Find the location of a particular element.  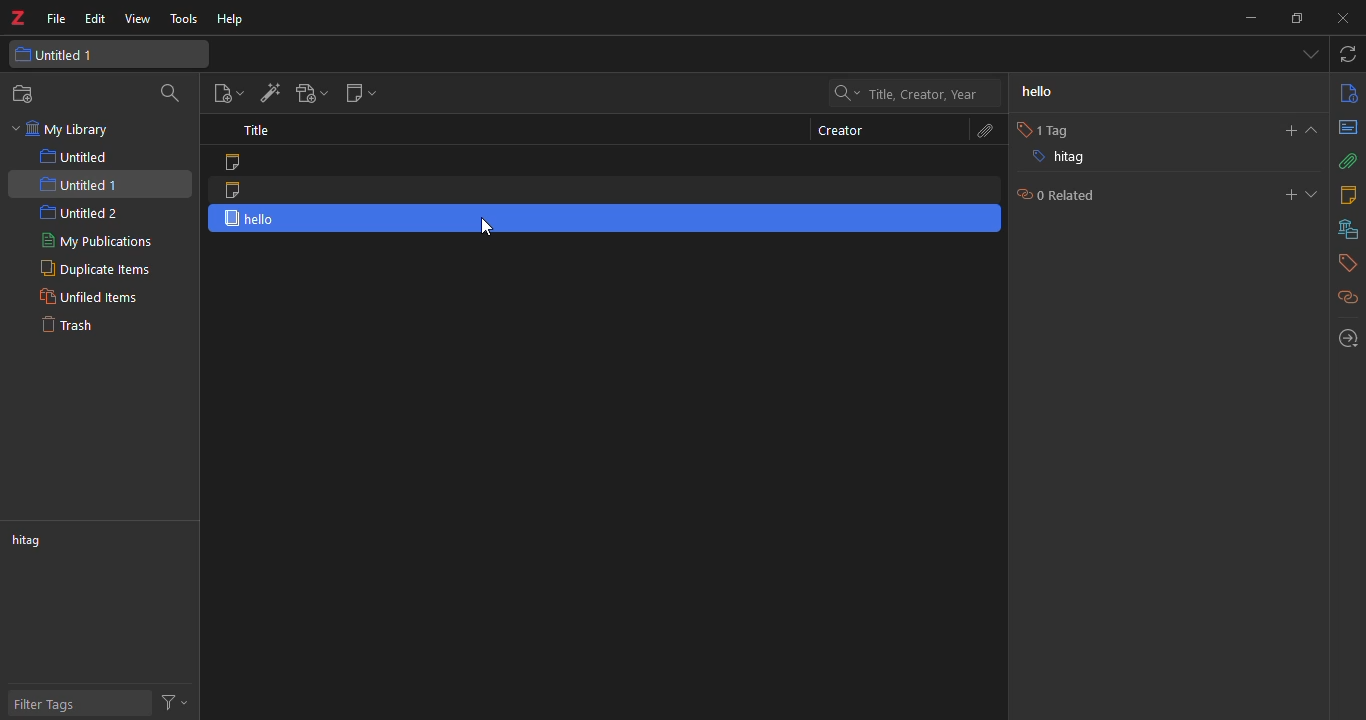

new item is located at coordinates (227, 93).